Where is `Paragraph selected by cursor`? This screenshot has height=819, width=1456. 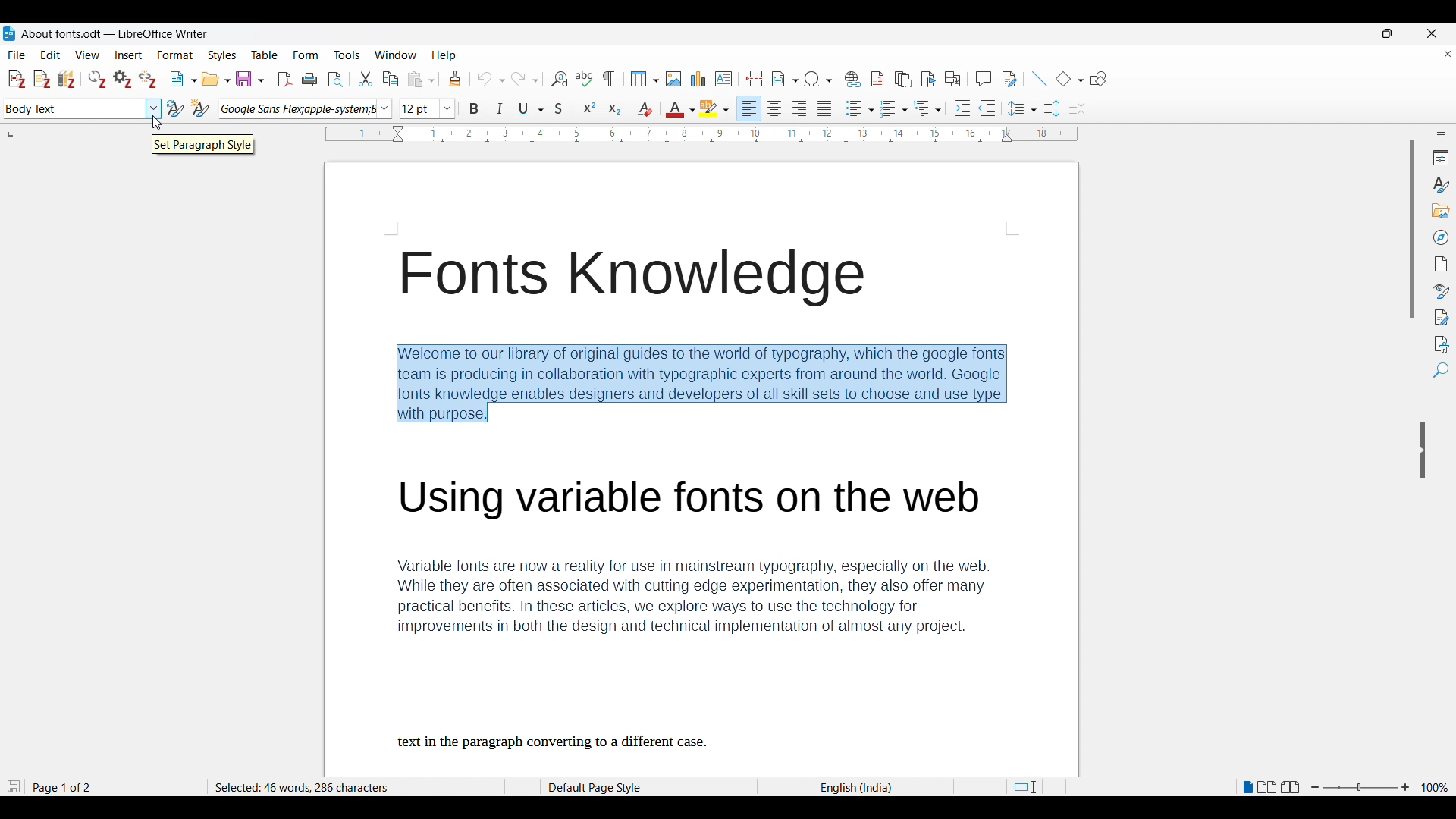
Paragraph selected by cursor is located at coordinates (697, 379).